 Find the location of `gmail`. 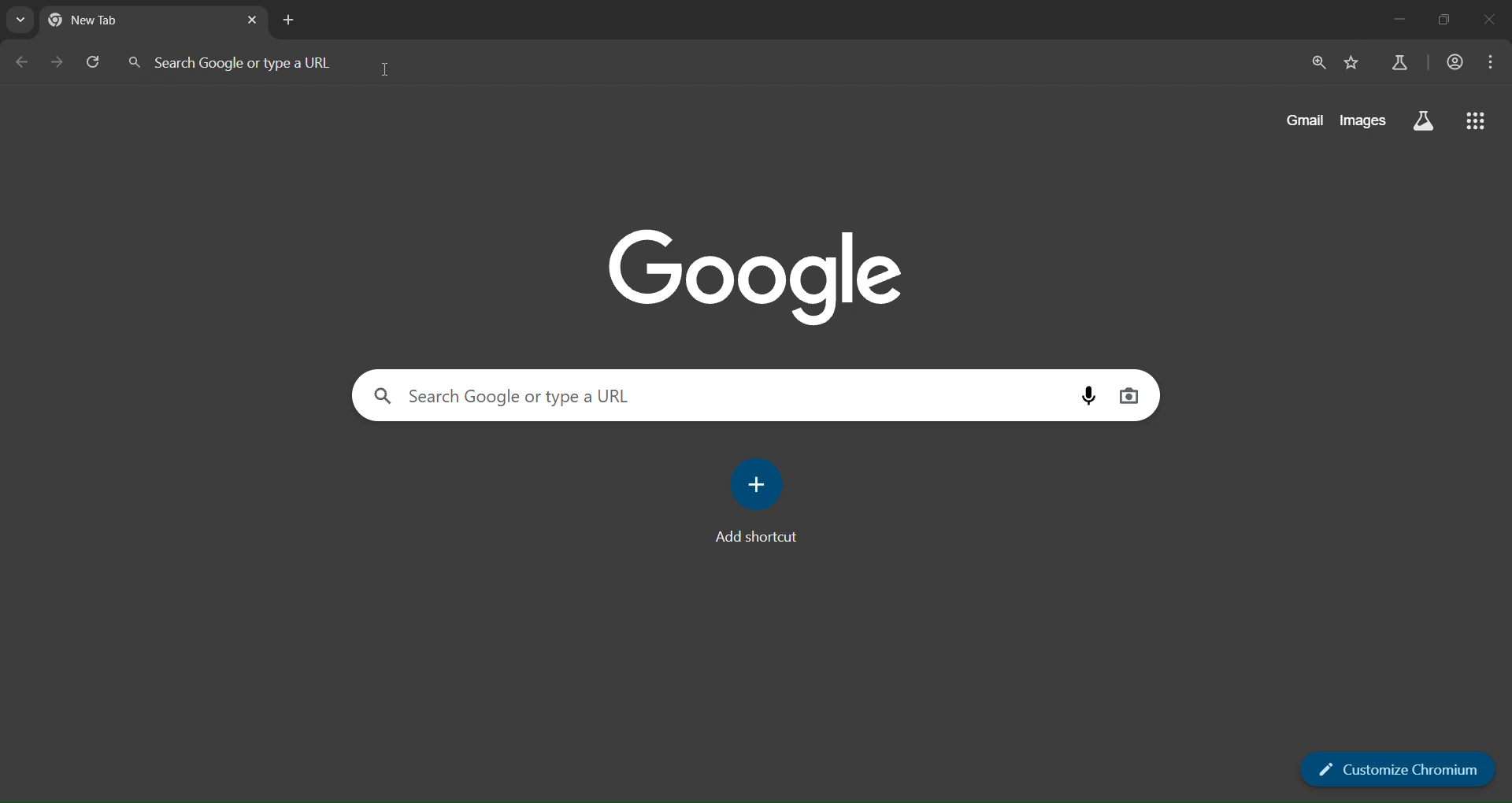

gmail is located at coordinates (1306, 120).